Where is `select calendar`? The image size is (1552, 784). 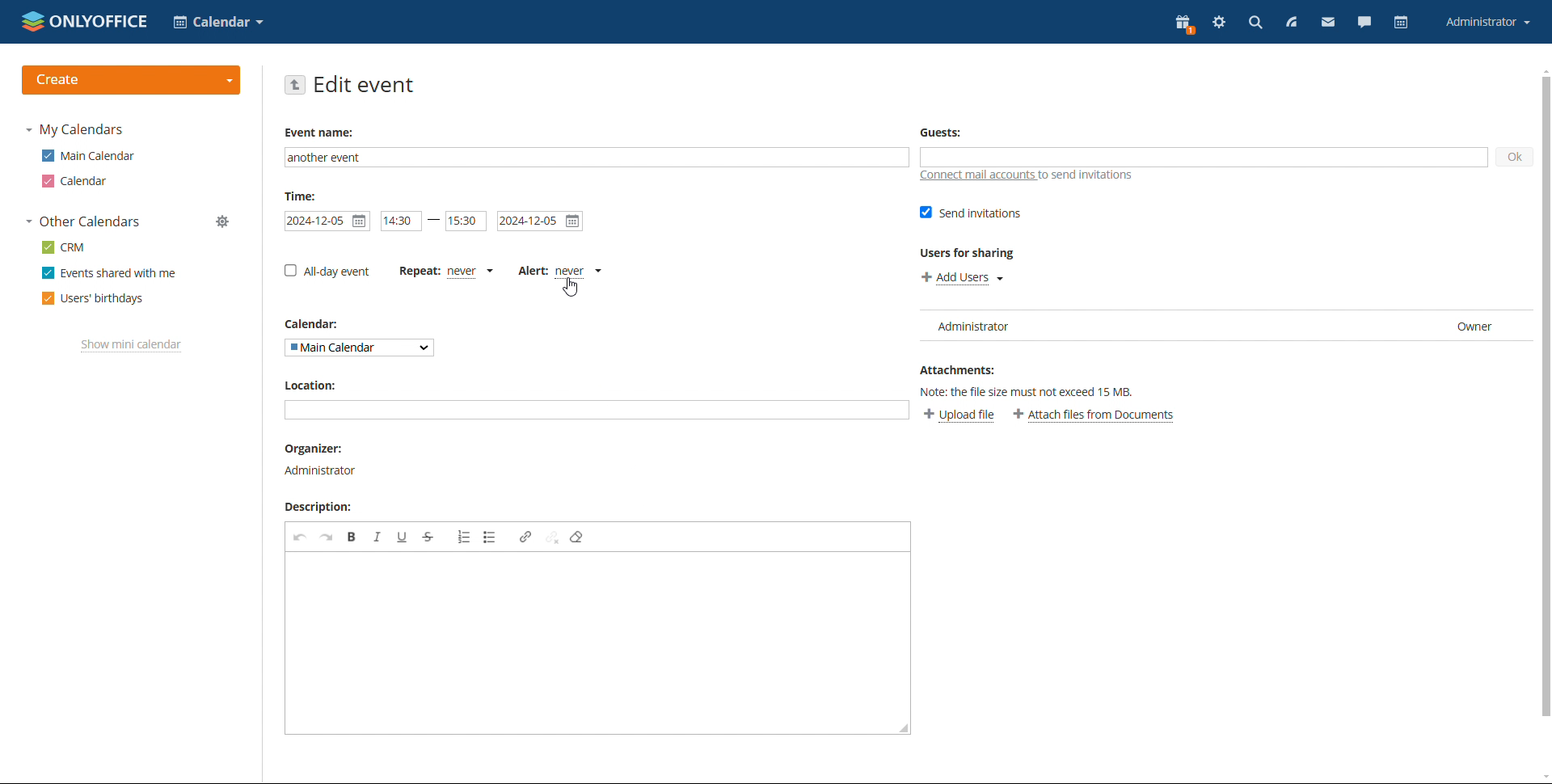 select calendar is located at coordinates (359, 348).